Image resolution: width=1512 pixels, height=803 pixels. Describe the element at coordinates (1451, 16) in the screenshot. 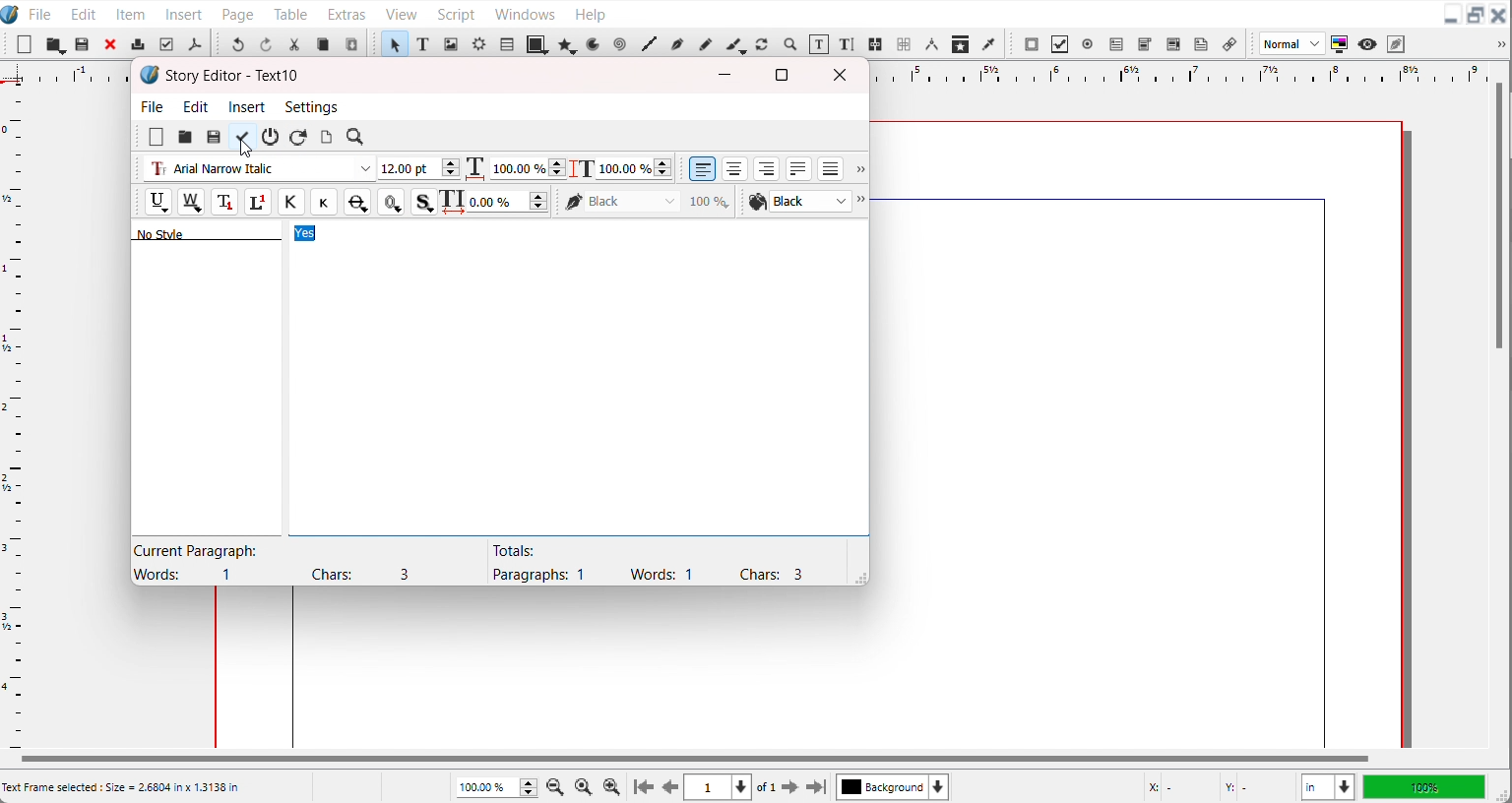

I see `Minimize` at that location.